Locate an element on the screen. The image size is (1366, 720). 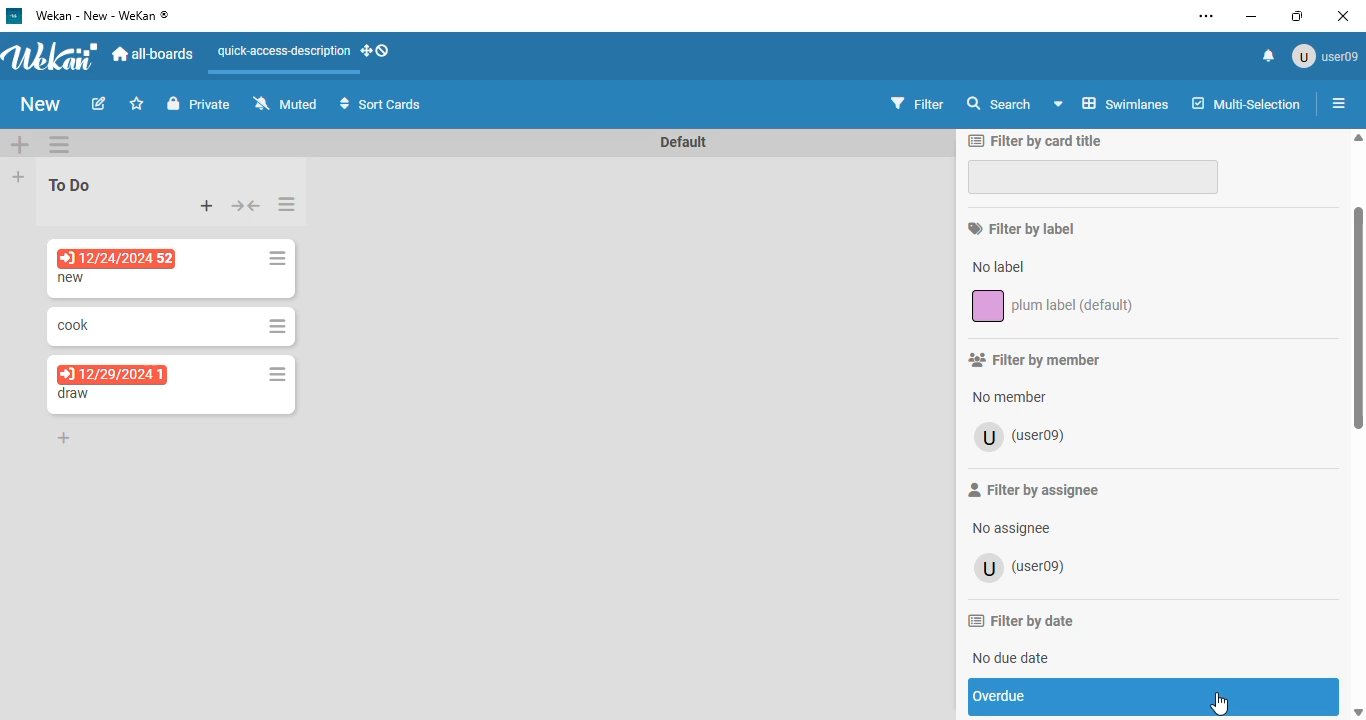
card name is located at coordinates (73, 325).